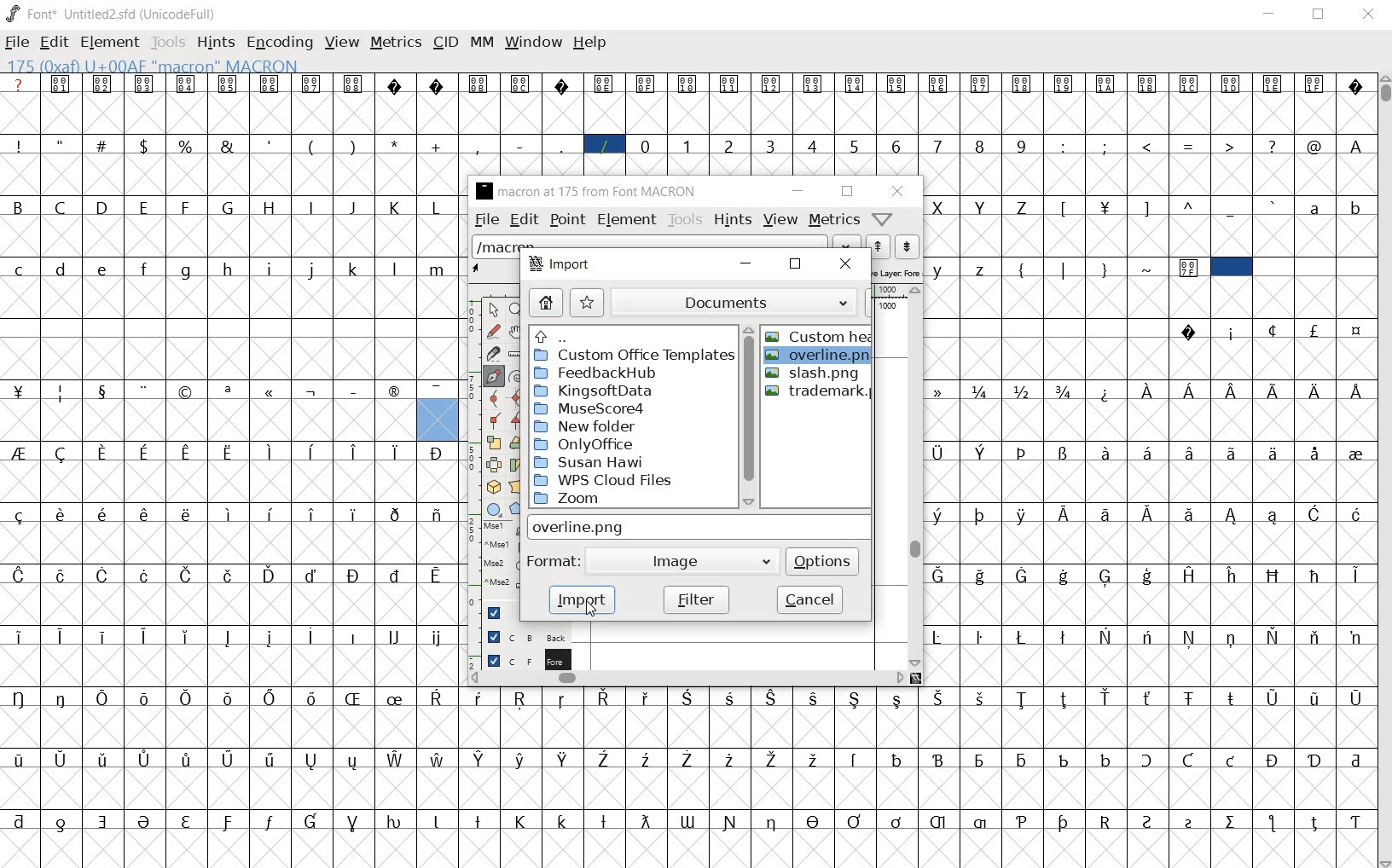 This screenshot has height=868, width=1392. I want to click on Symbol, so click(940, 574).